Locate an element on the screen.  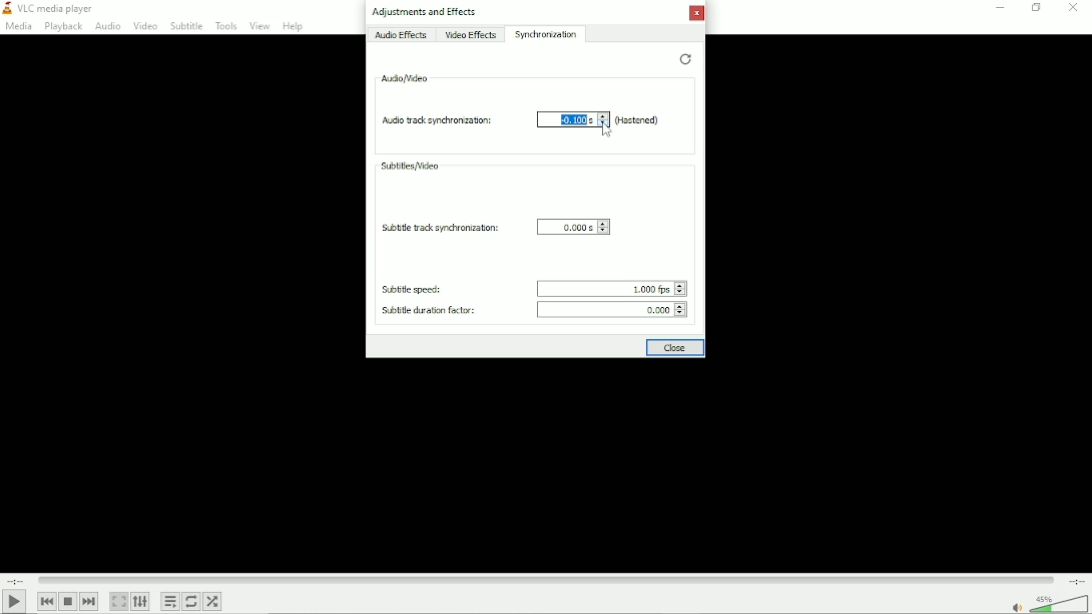
Subtitle speed is located at coordinates (411, 290).